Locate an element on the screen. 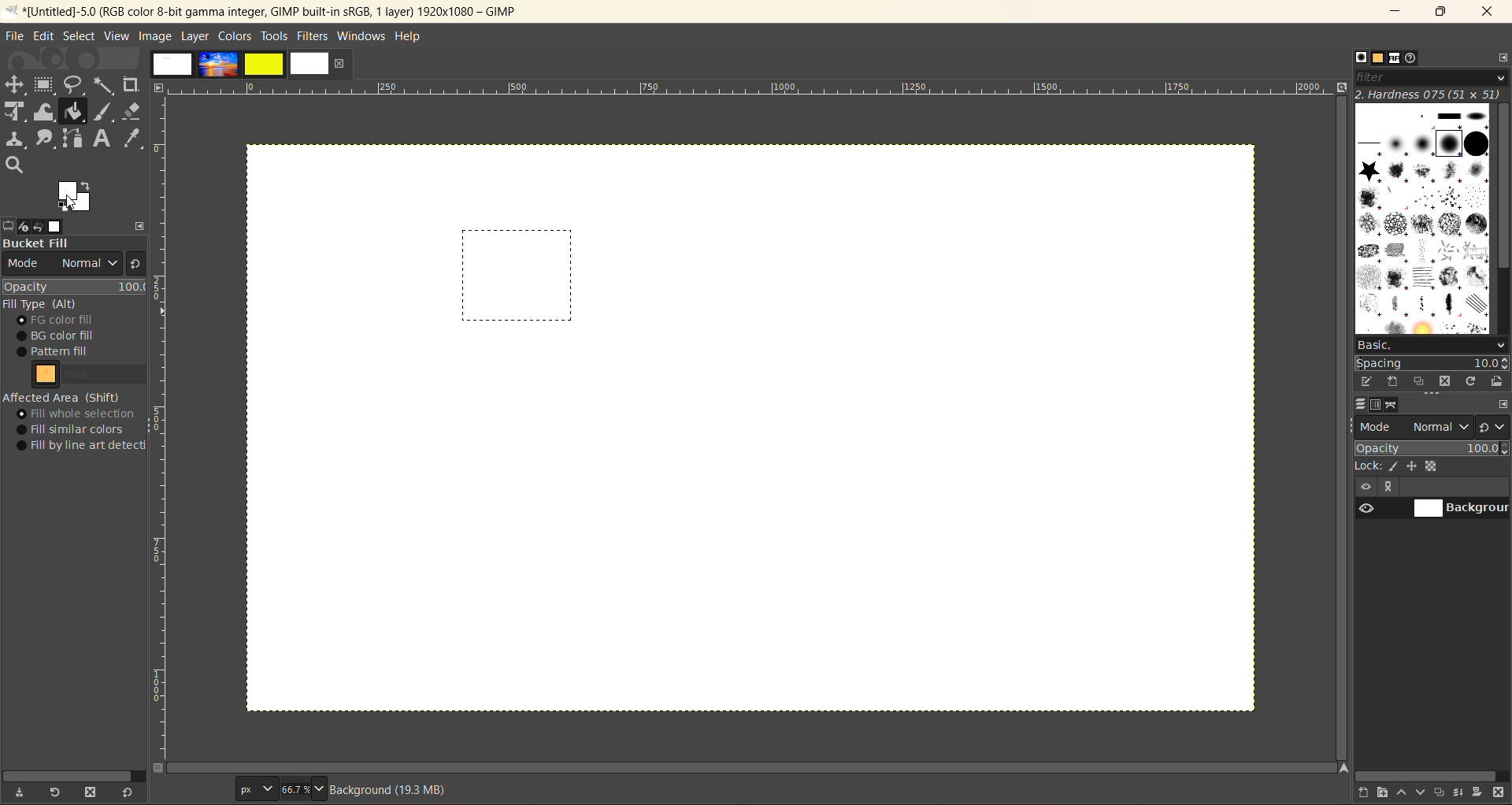 This screenshot has width=1512, height=805. create a new brush is located at coordinates (1395, 380).